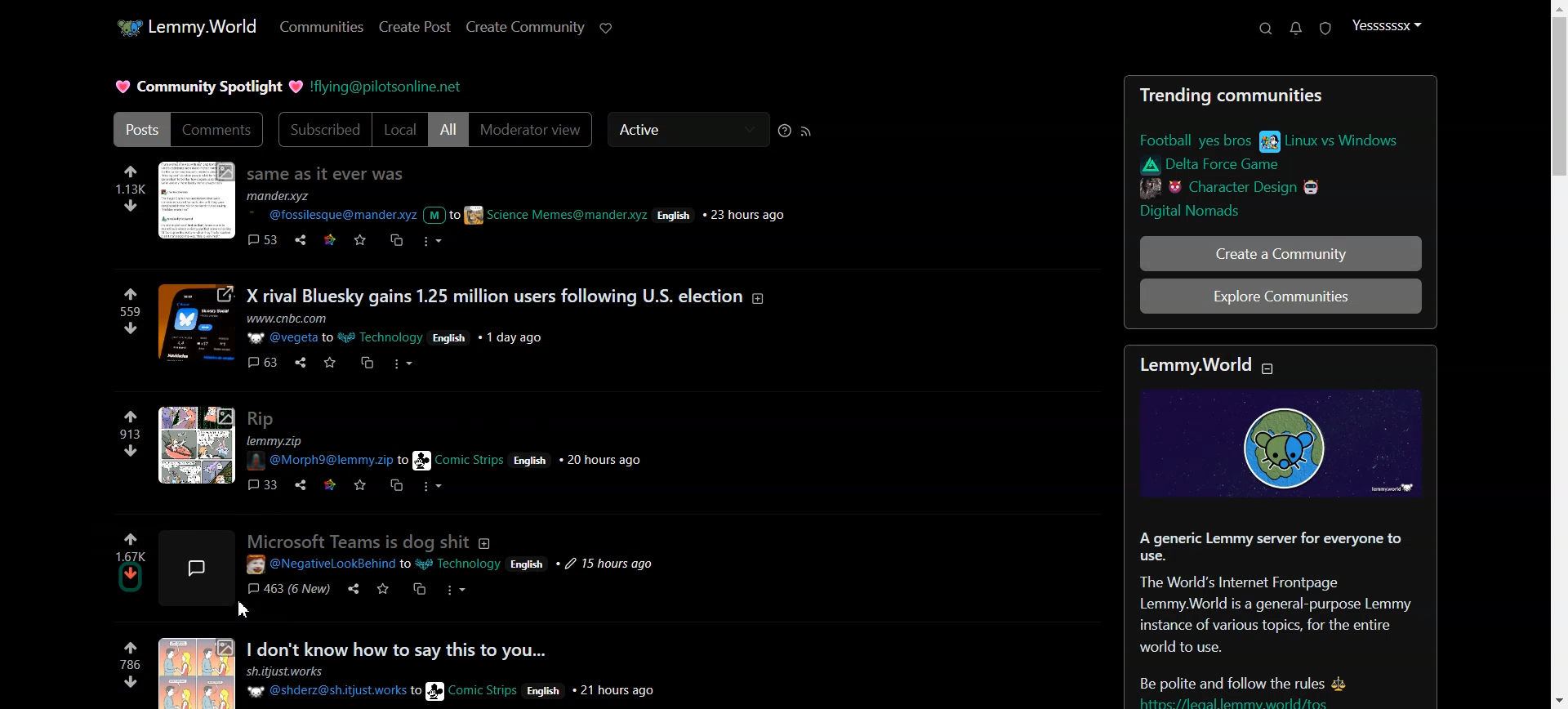  I want to click on link, so click(1279, 140).